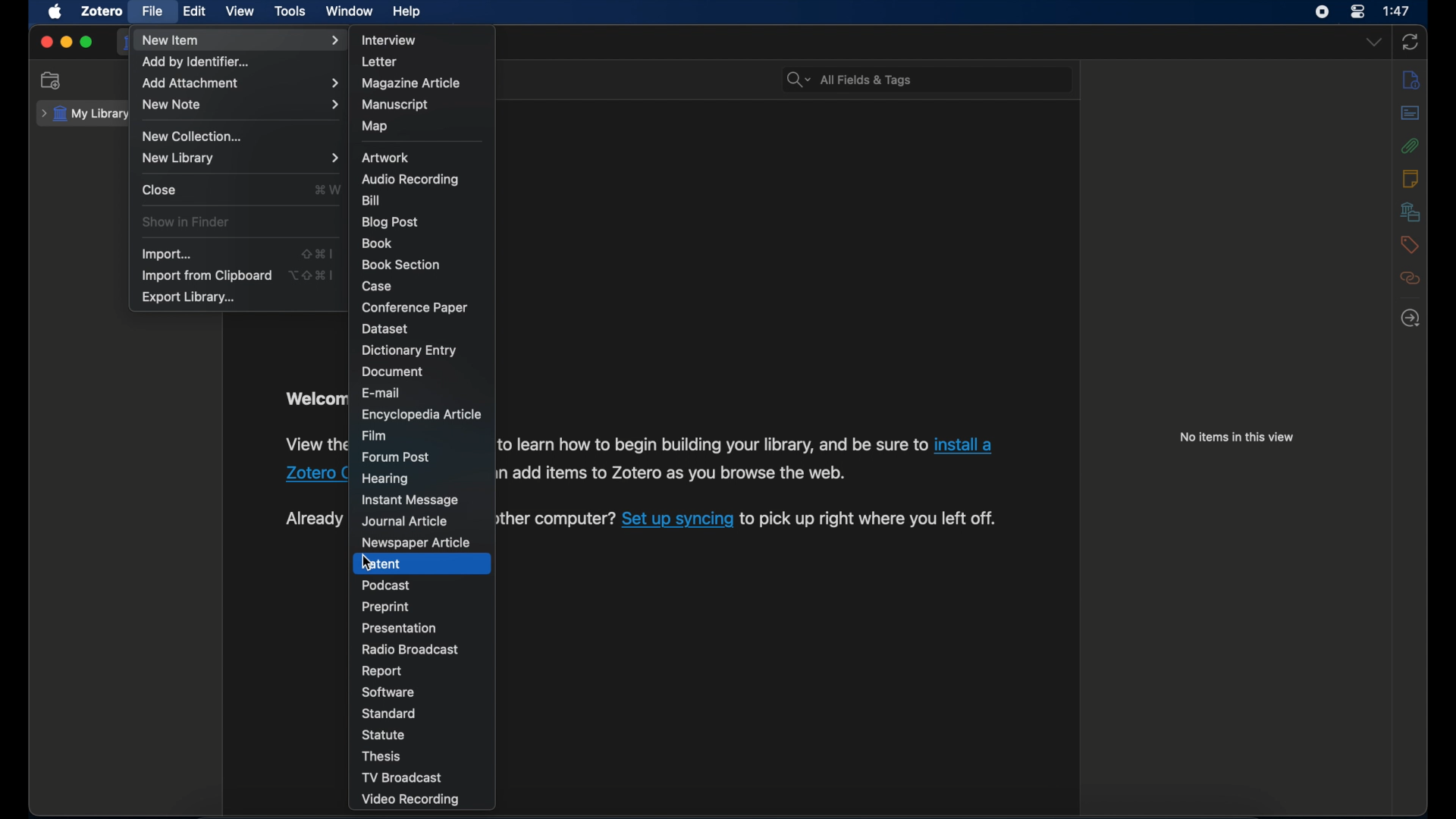  Describe the element at coordinates (1236, 437) in the screenshot. I see `no items in this view` at that location.